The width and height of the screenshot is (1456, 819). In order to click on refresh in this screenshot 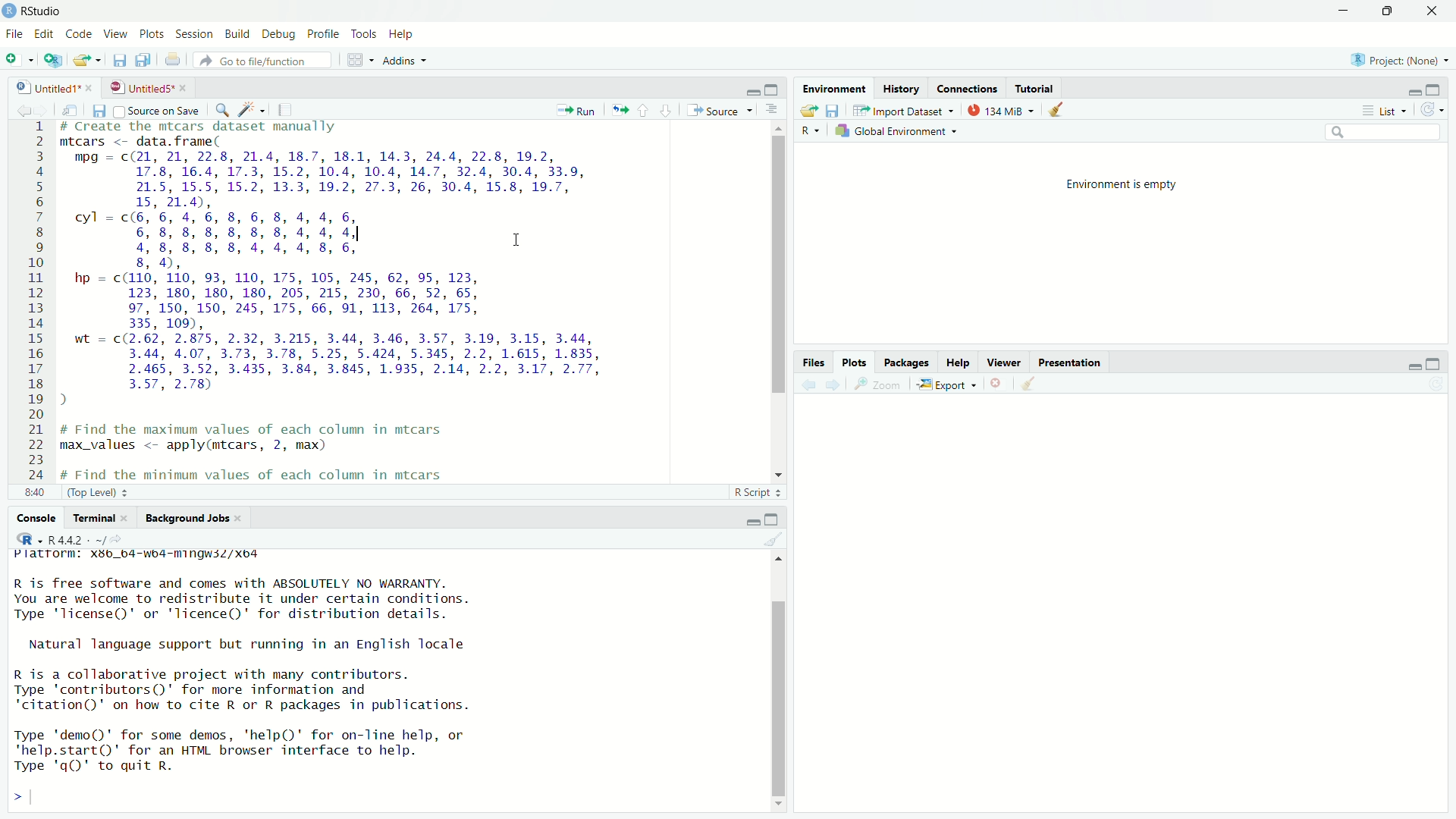, I will do `click(1432, 111)`.